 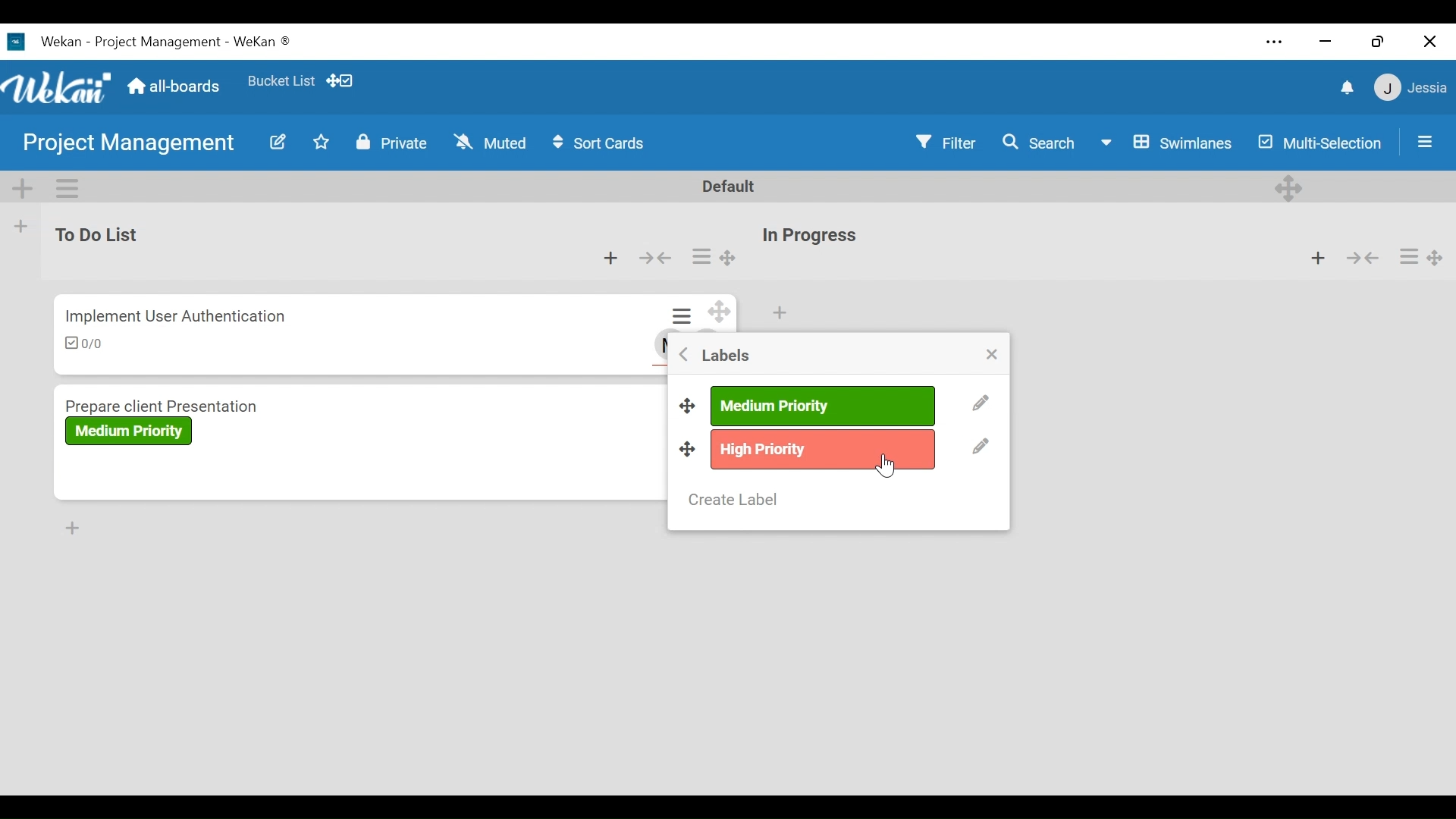 What do you see at coordinates (278, 142) in the screenshot?
I see `Edit` at bounding box center [278, 142].